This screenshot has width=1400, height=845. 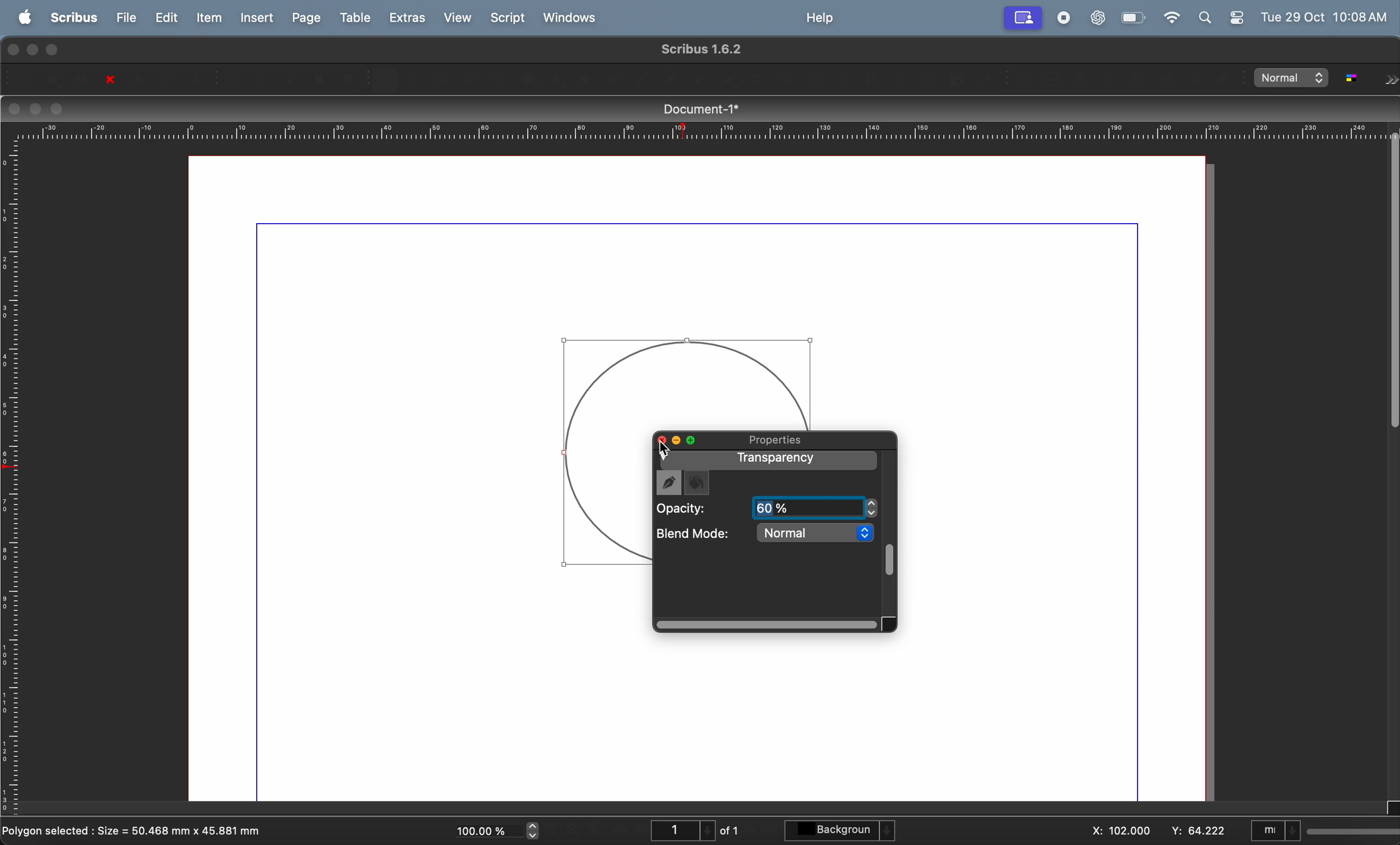 I want to click on edit, so click(x=162, y=18).